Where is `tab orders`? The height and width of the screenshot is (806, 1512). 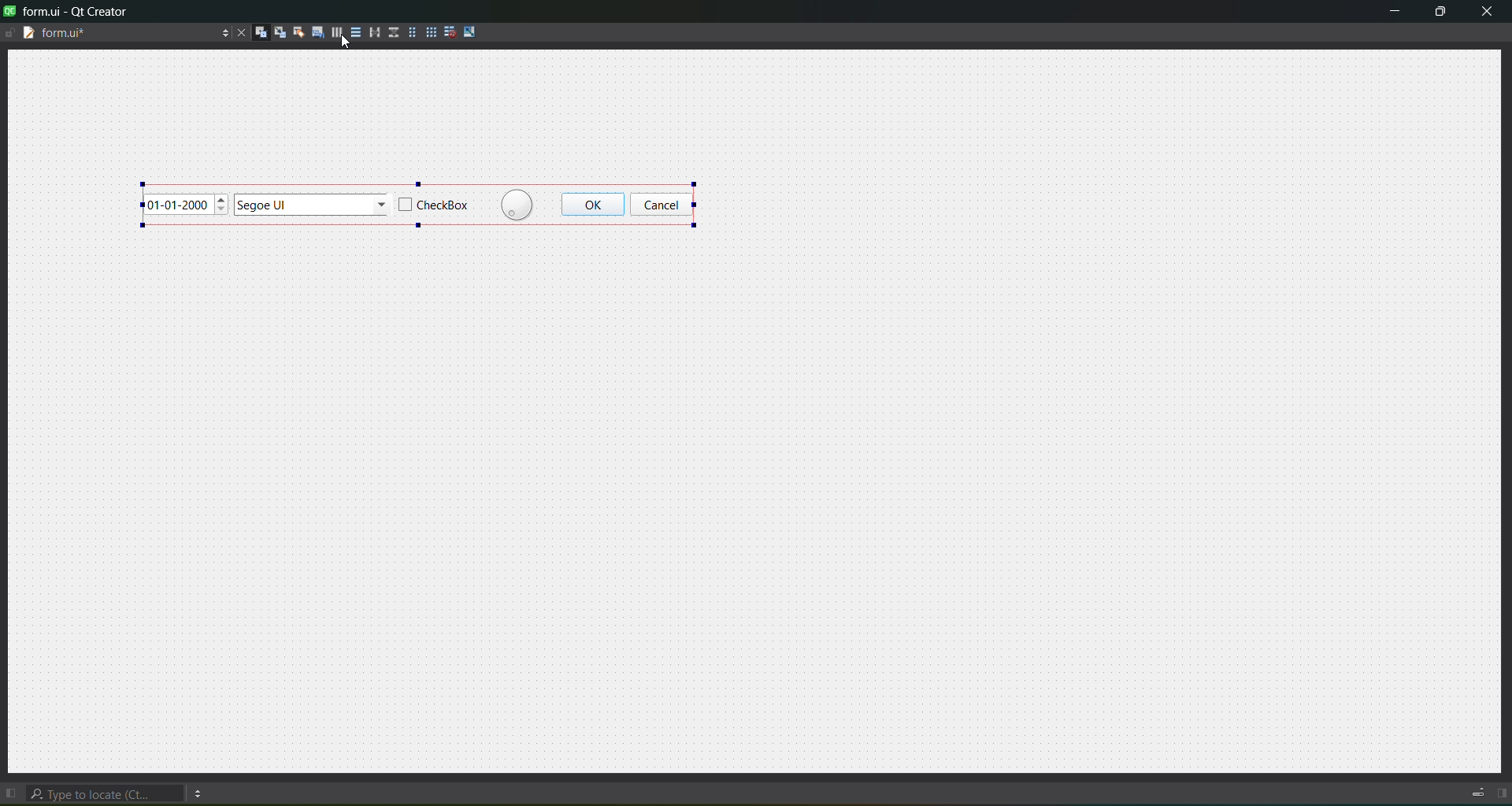
tab orders is located at coordinates (313, 32).